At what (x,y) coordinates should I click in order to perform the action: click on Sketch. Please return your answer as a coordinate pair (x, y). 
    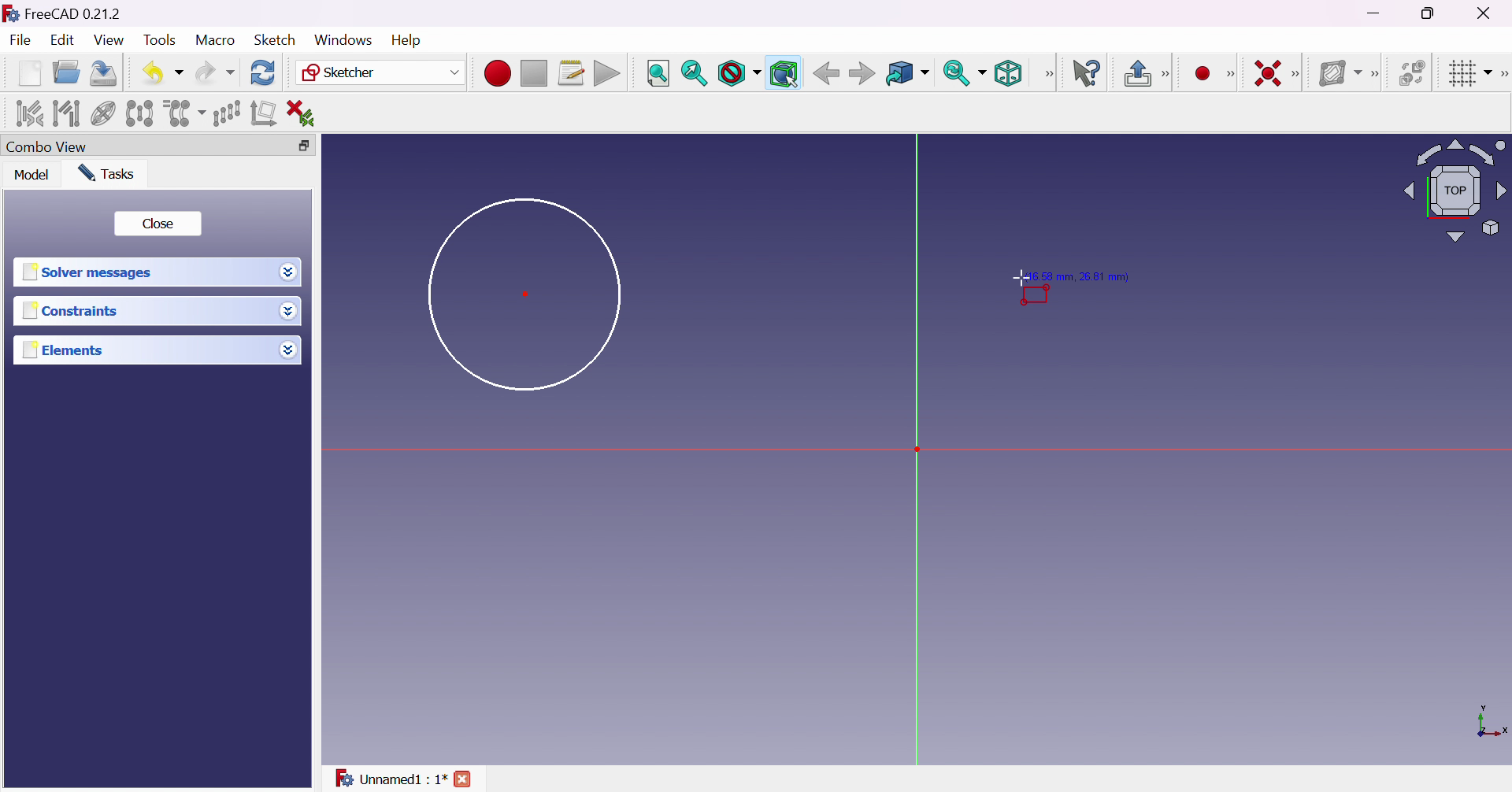
    Looking at the image, I should click on (274, 39).